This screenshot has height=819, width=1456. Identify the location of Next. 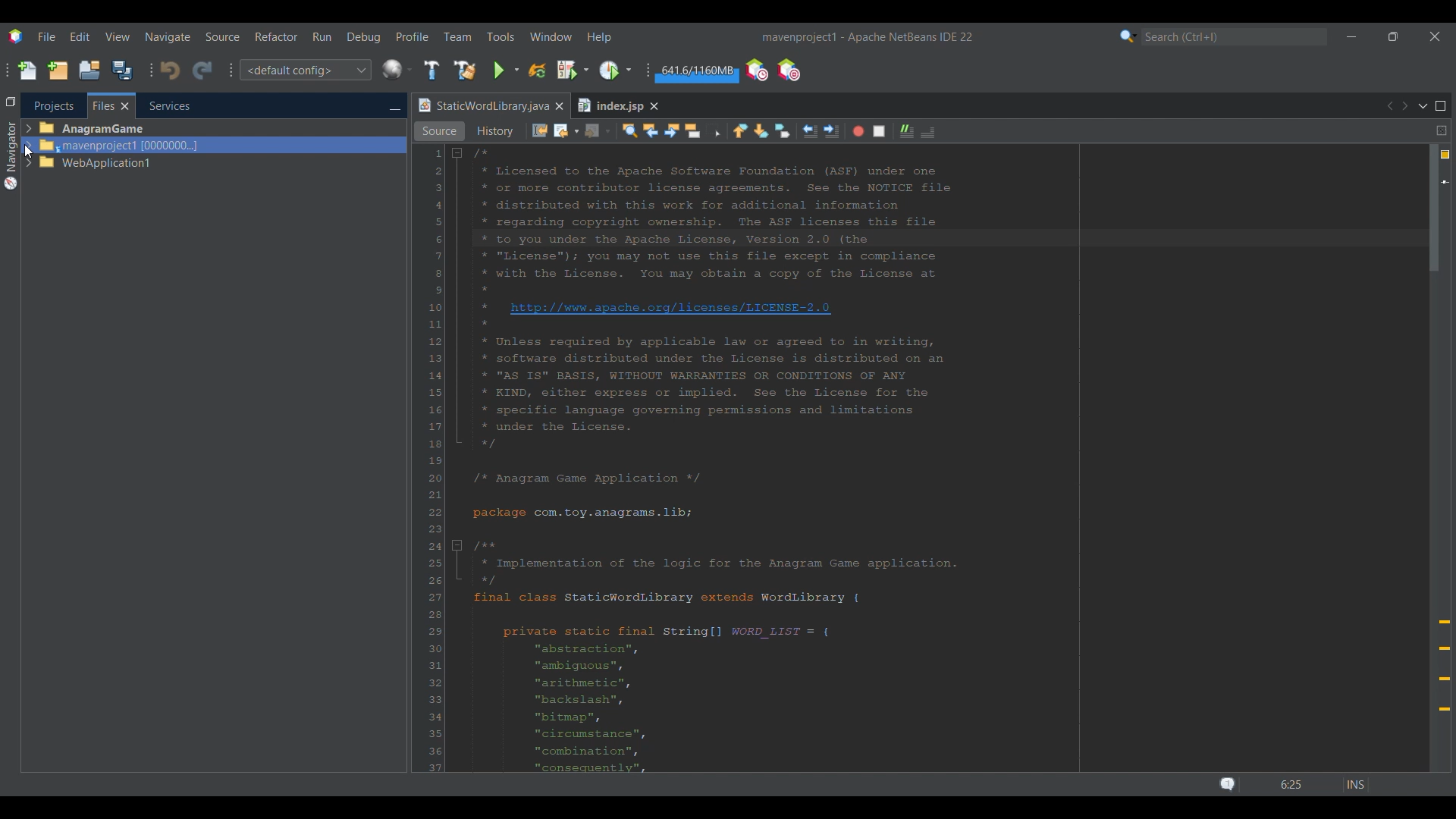
(1404, 105).